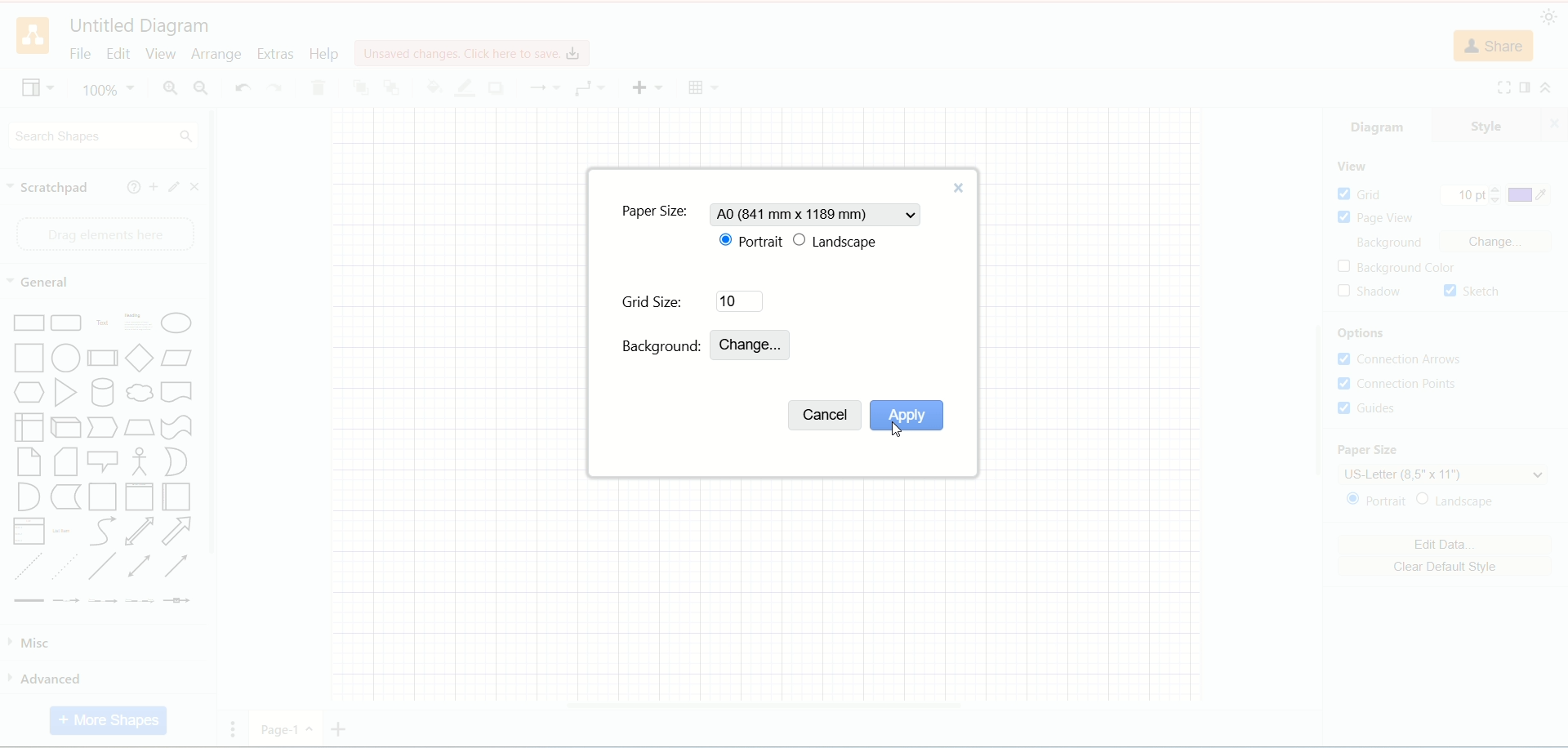 This screenshot has height=748, width=1568. I want to click on portrait, so click(751, 240).